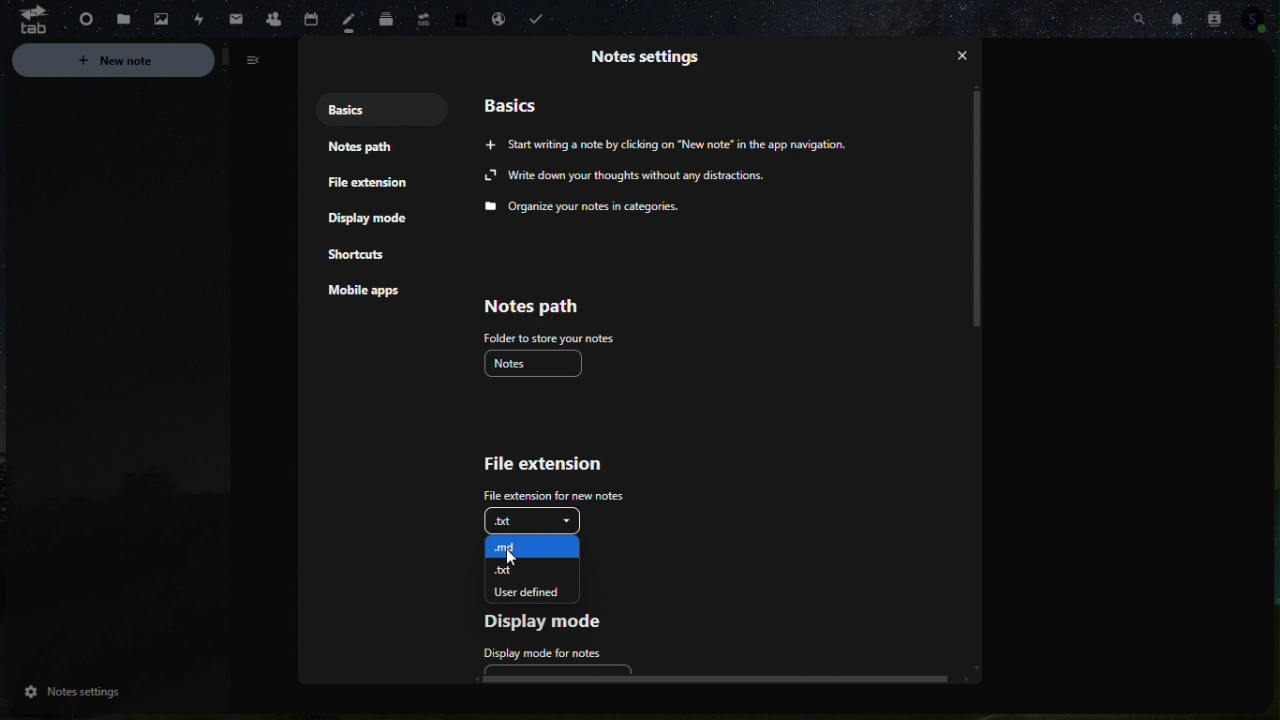 This screenshot has height=720, width=1280. Describe the element at coordinates (375, 220) in the screenshot. I see `Display mode` at that location.